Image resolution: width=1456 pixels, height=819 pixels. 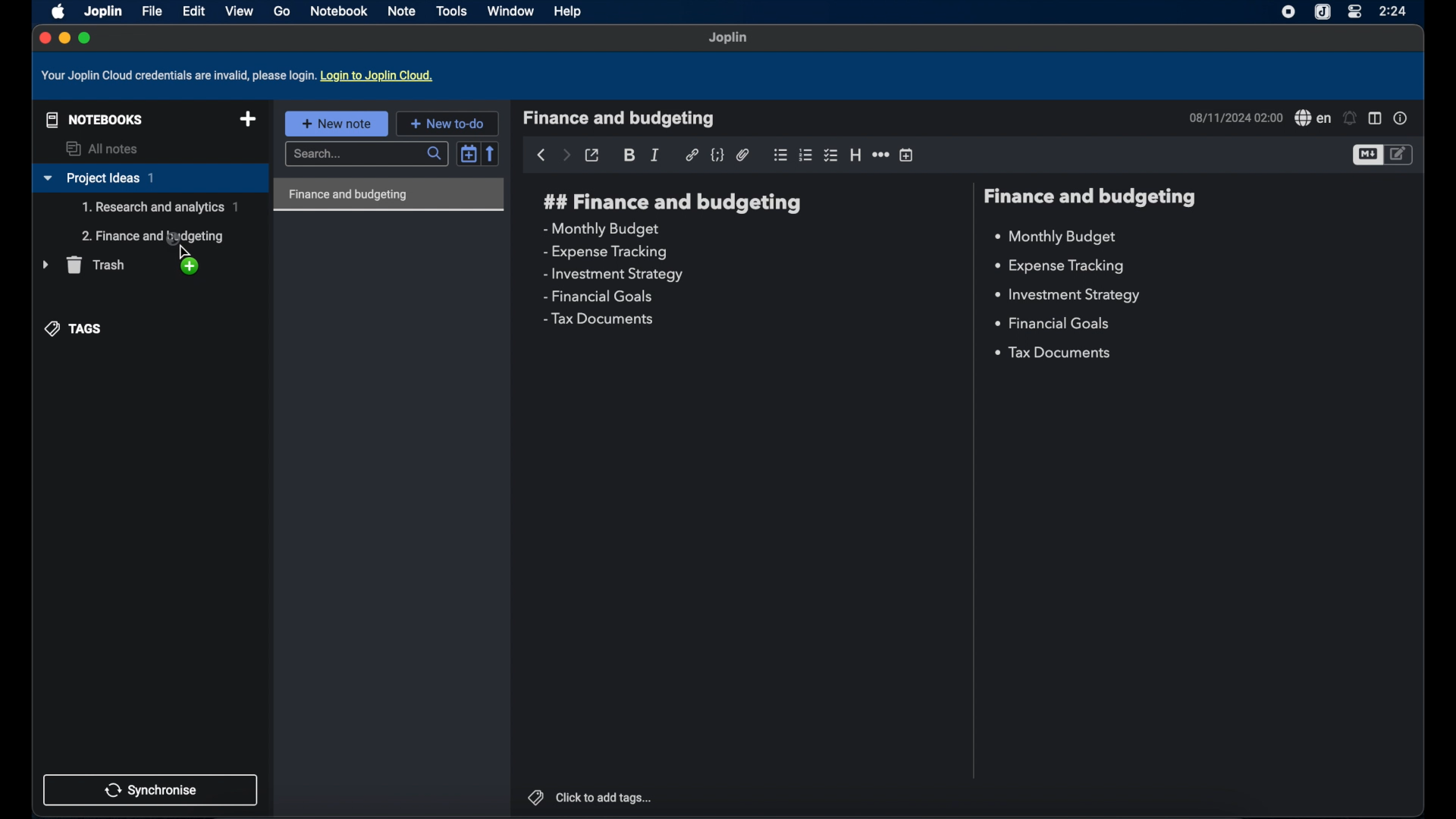 What do you see at coordinates (149, 179) in the screenshot?
I see `project ideas 1` at bounding box center [149, 179].